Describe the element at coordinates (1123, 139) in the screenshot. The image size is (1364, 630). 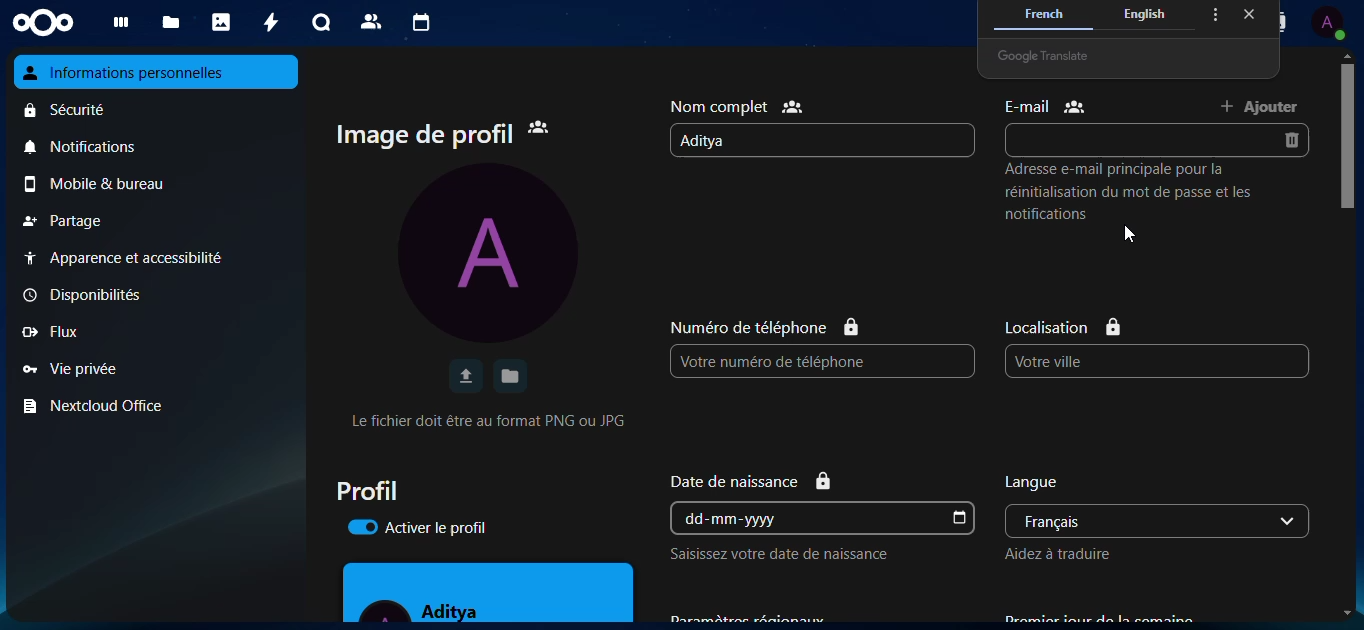
I see `email` at that location.